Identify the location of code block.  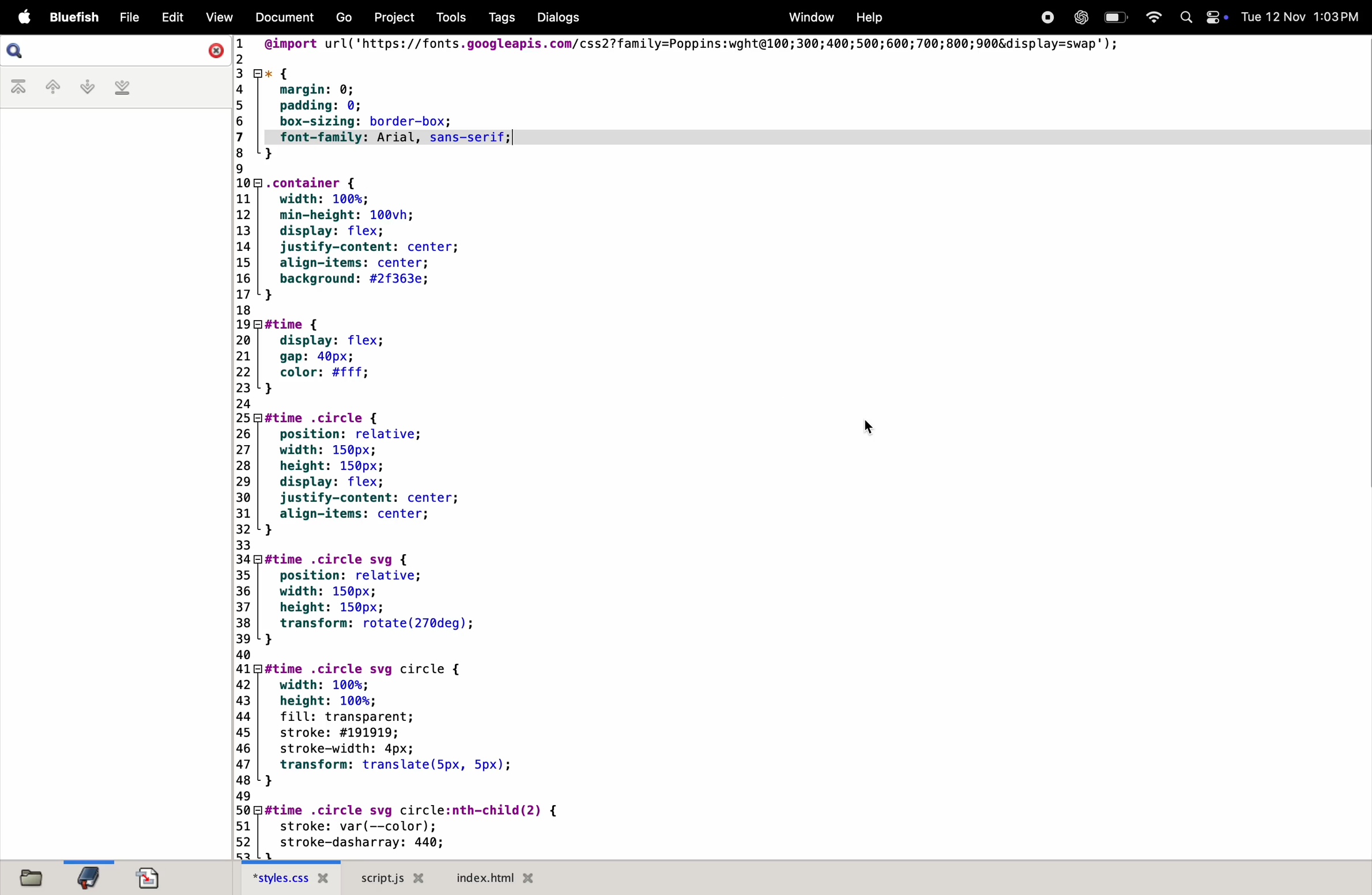
(442, 460).